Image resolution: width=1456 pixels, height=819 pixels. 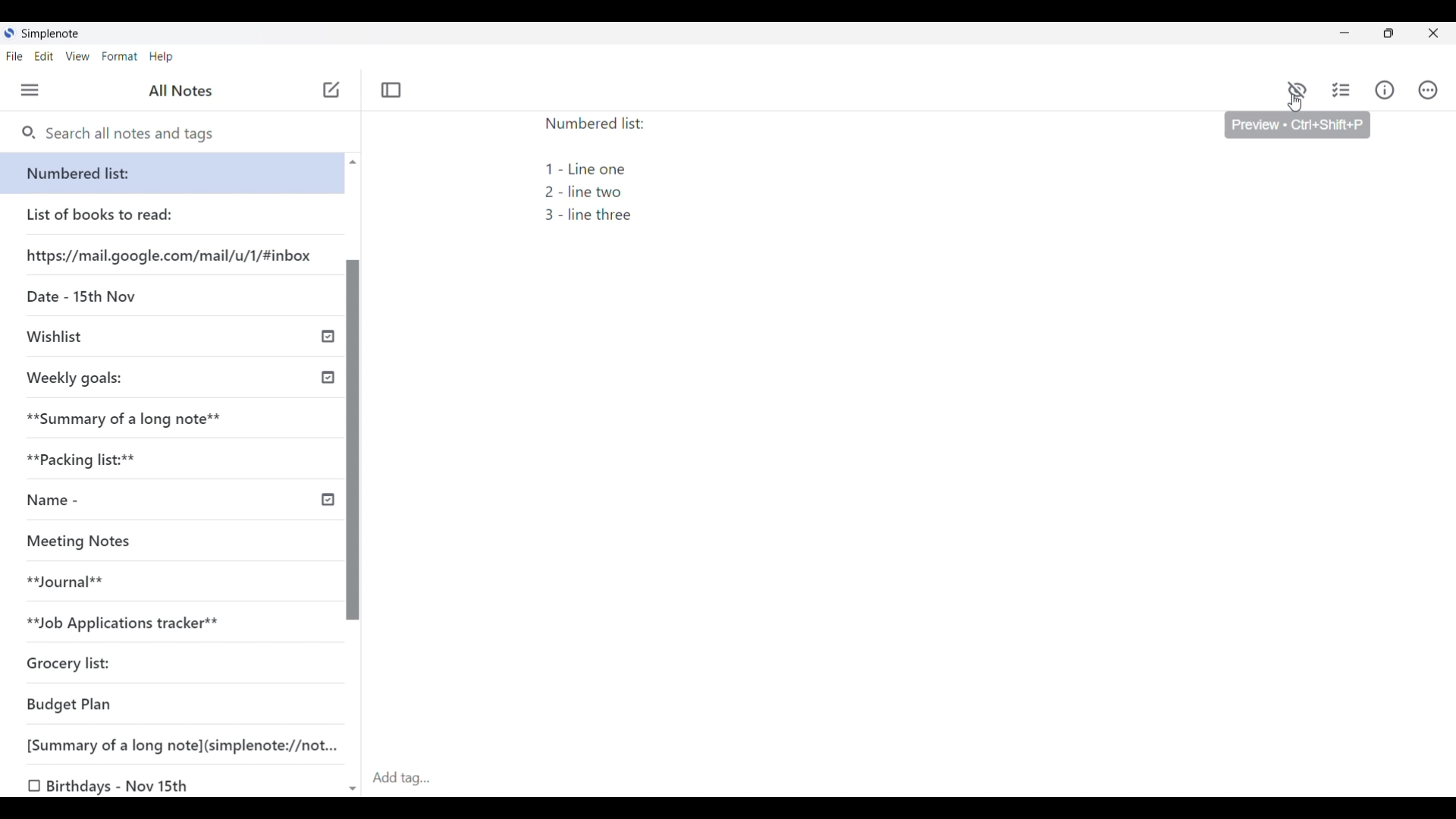 I want to click on Menu, so click(x=30, y=89).